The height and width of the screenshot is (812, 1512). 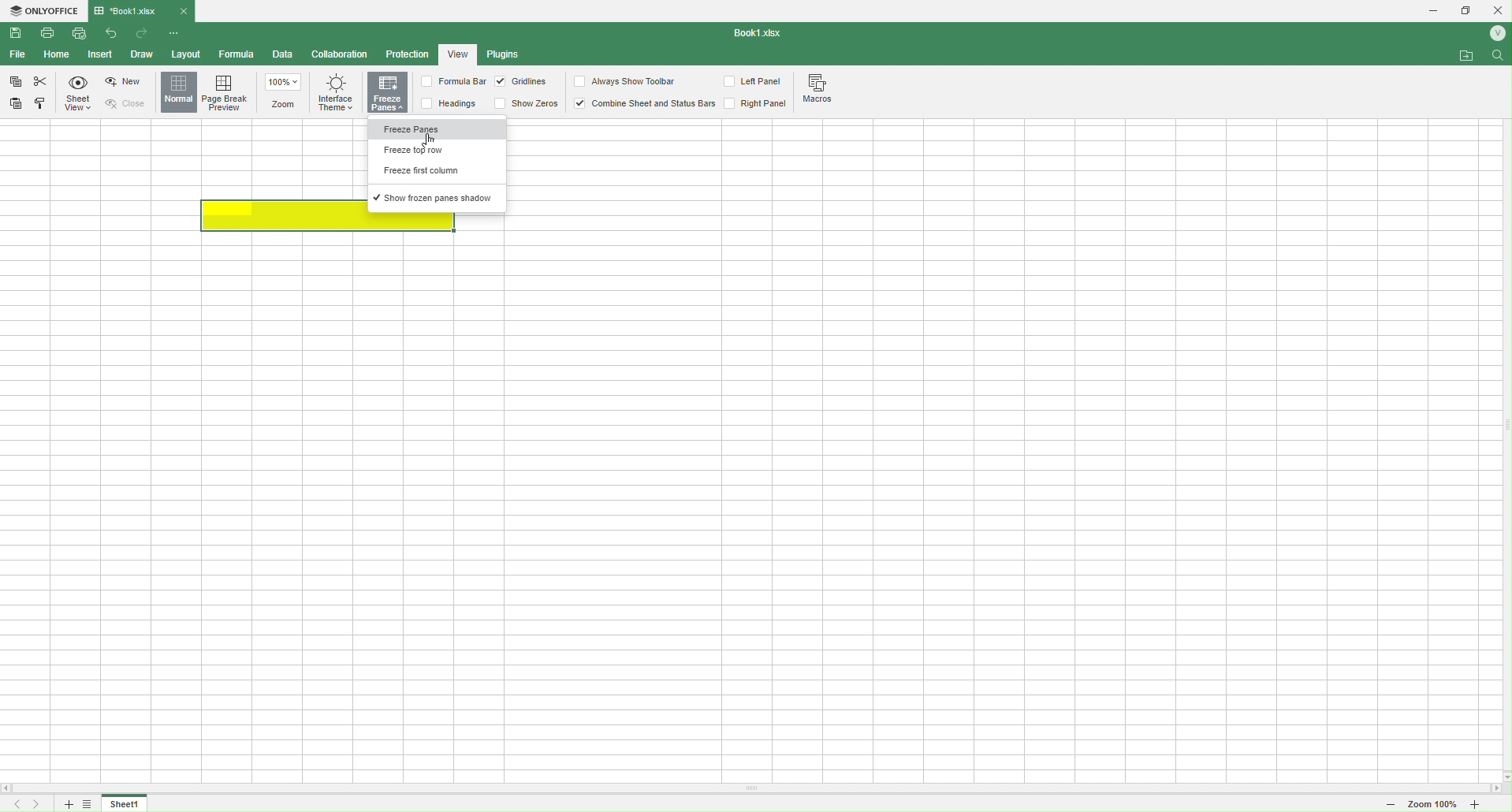 What do you see at coordinates (443, 132) in the screenshot?
I see `Cursor on freeze panes` at bounding box center [443, 132].